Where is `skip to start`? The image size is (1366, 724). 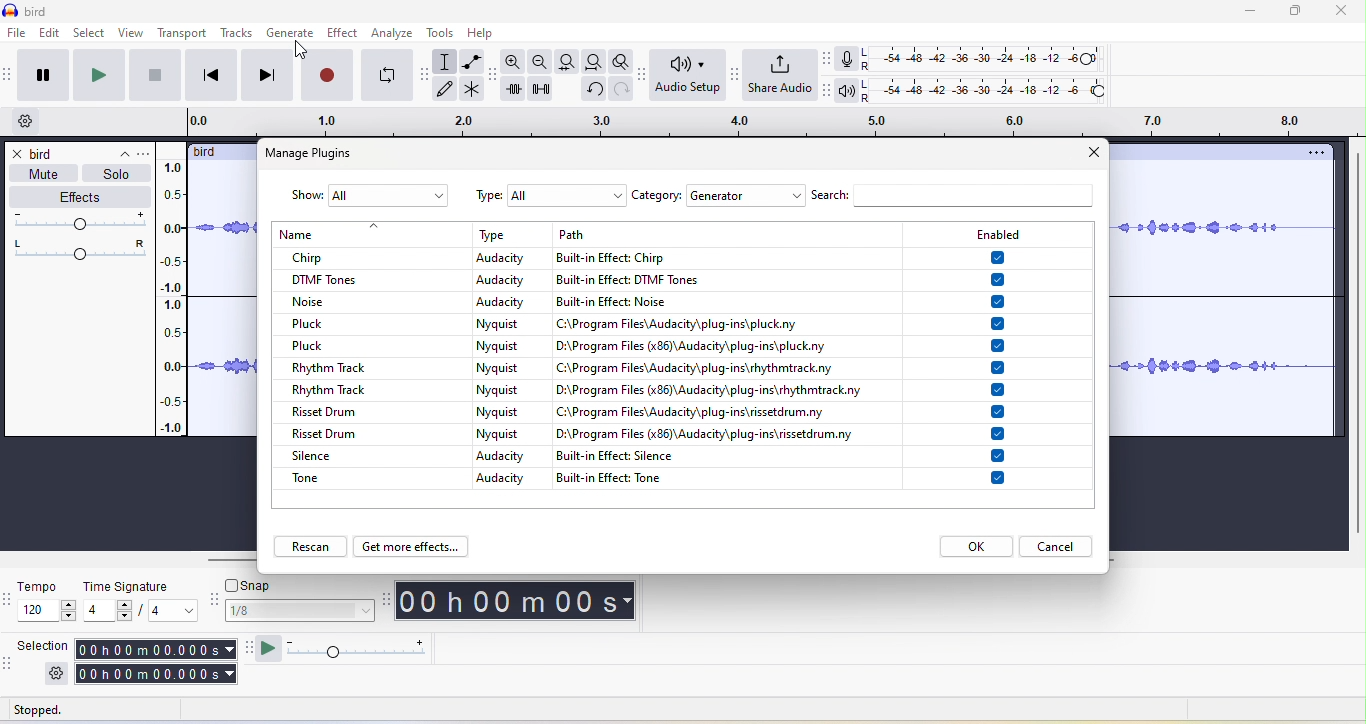
skip to start is located at coordinates (207, 75).